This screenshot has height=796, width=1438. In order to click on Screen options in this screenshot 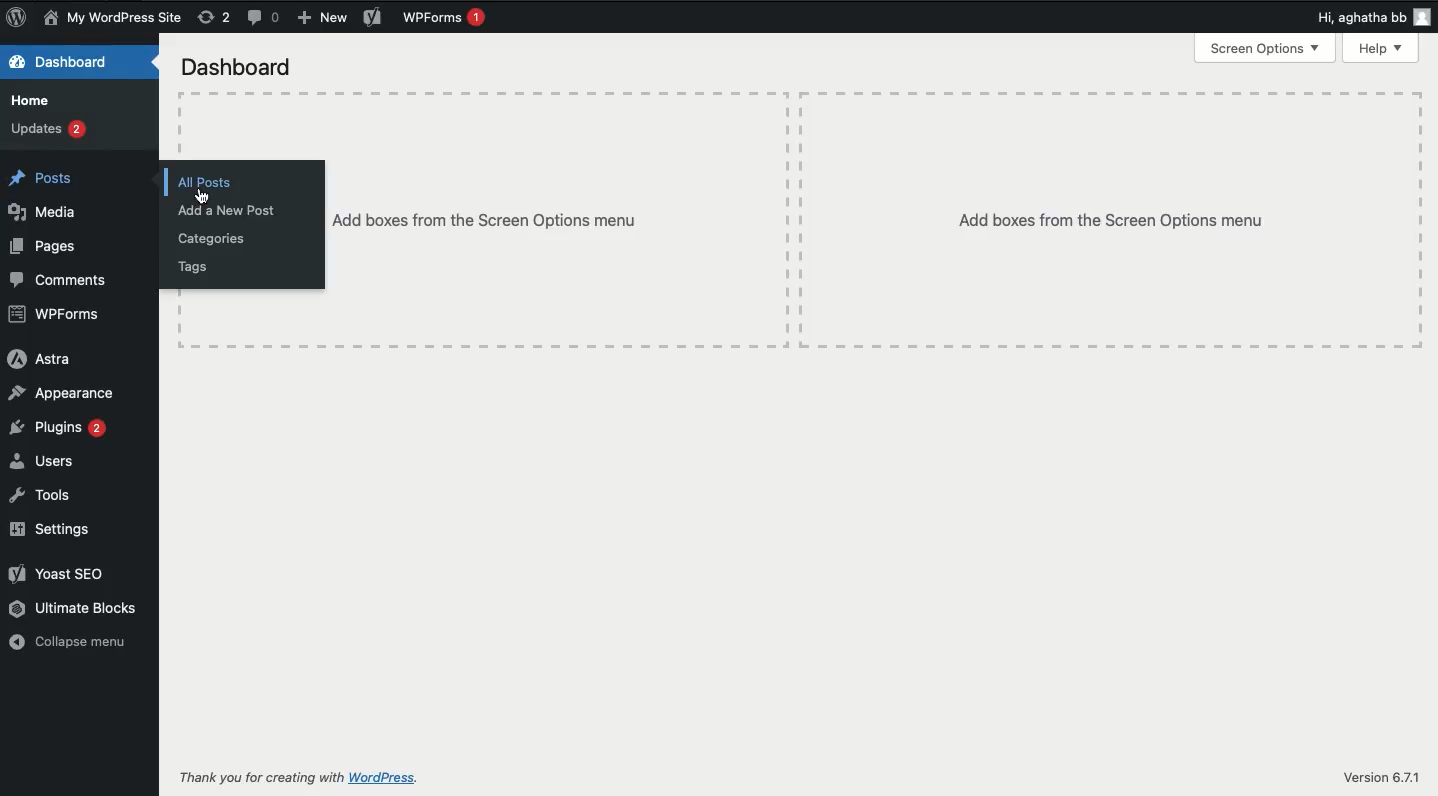, I will do `click(1266, 50)`.